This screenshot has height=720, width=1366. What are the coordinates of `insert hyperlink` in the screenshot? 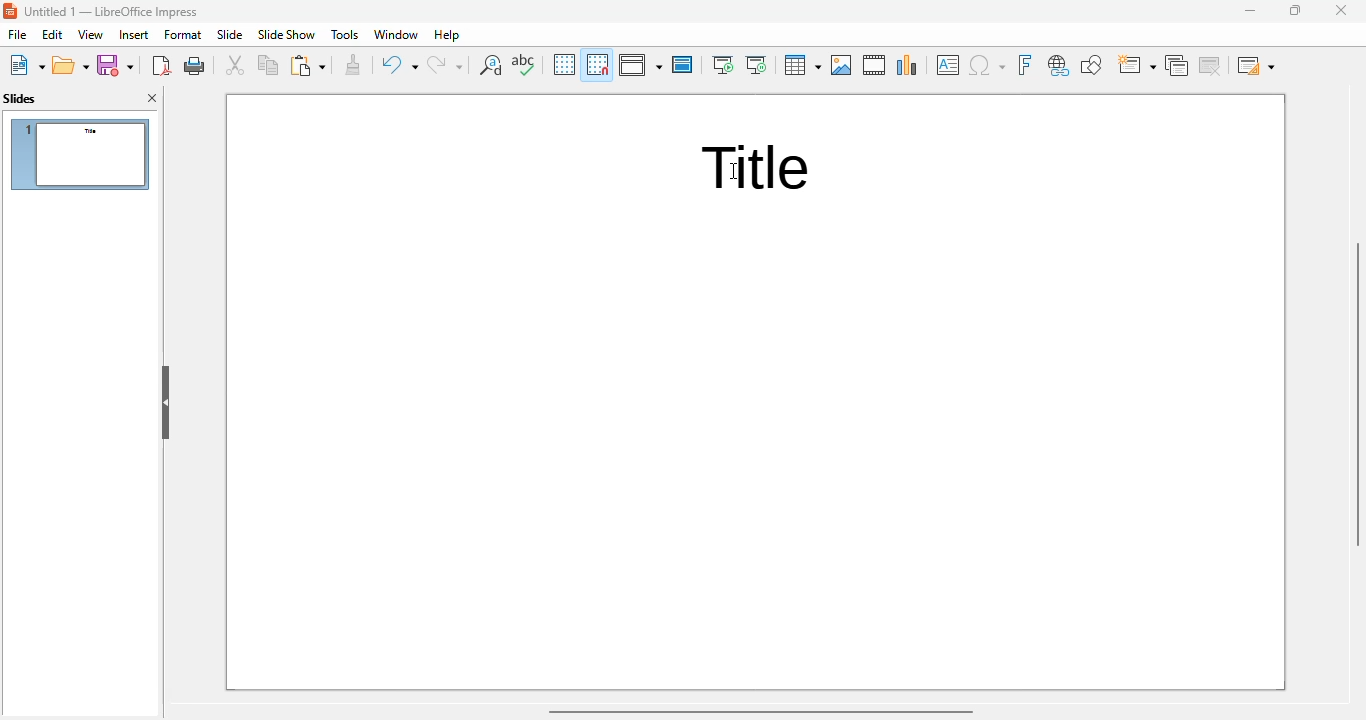 It's located at (1059, 66).